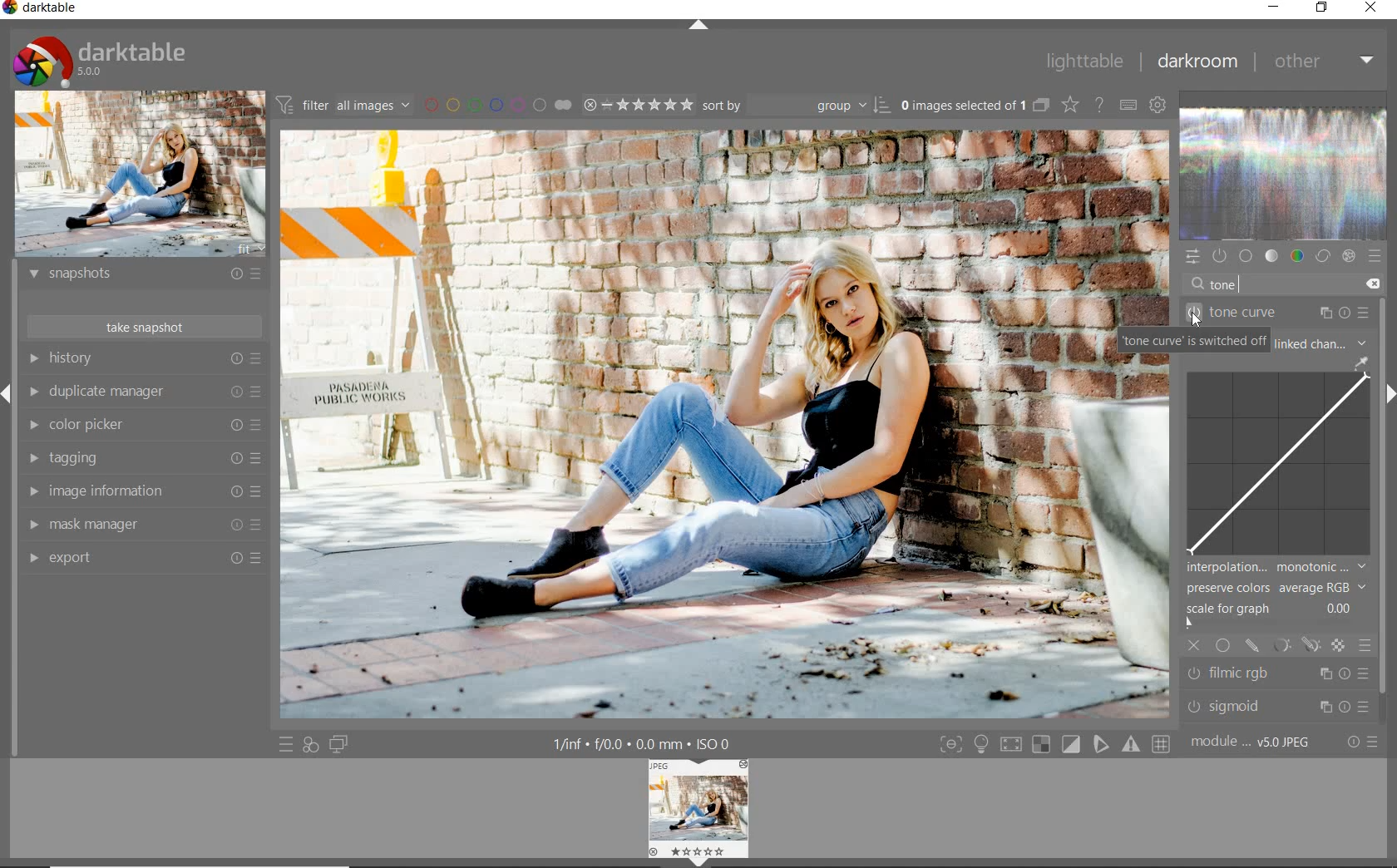 The height and width of the screenshot is (868, 1397). Describe the element at coordinates (637, 106) in the screenshot. I see `range rating of selected images` at that location.